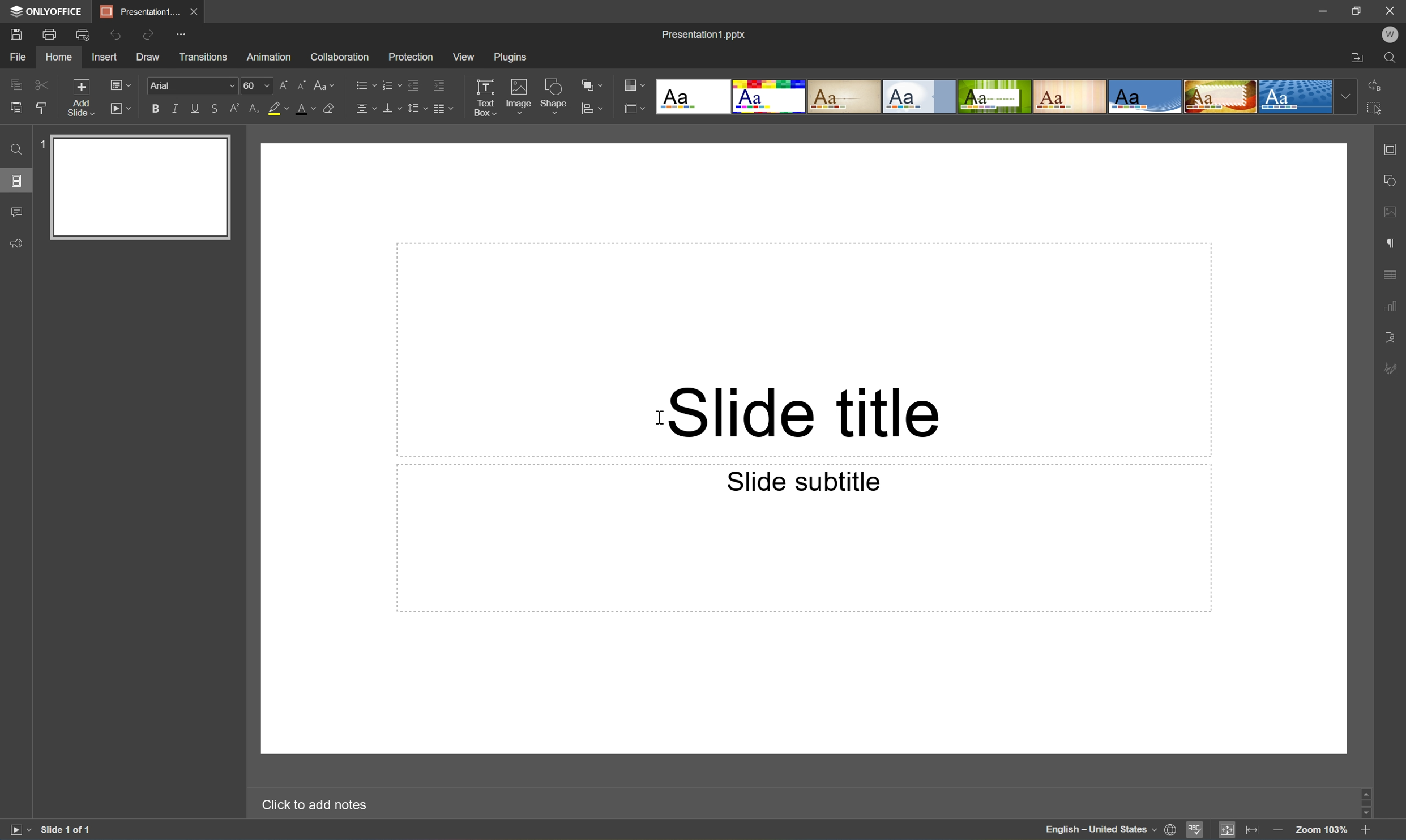 The height and width of the screenshot is (840, 1406). I want to click on Find, so click(1394, 58).